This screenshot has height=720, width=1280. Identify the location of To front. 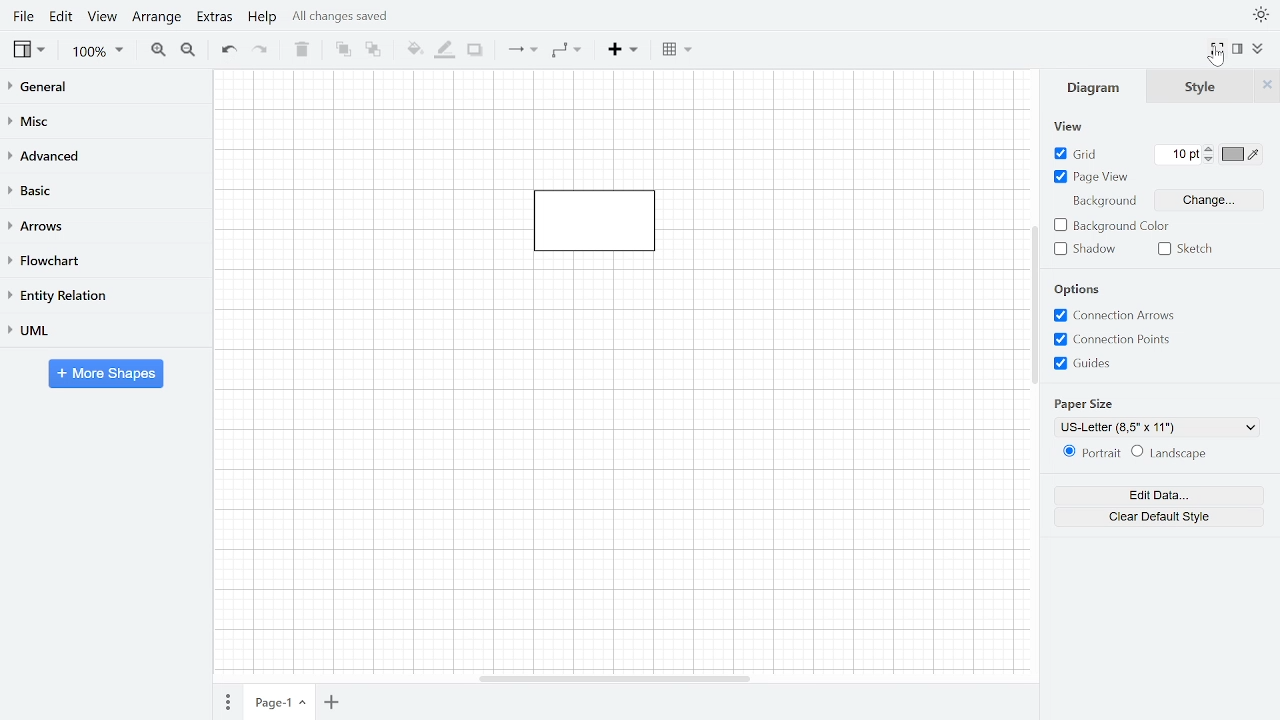
(344, 51).